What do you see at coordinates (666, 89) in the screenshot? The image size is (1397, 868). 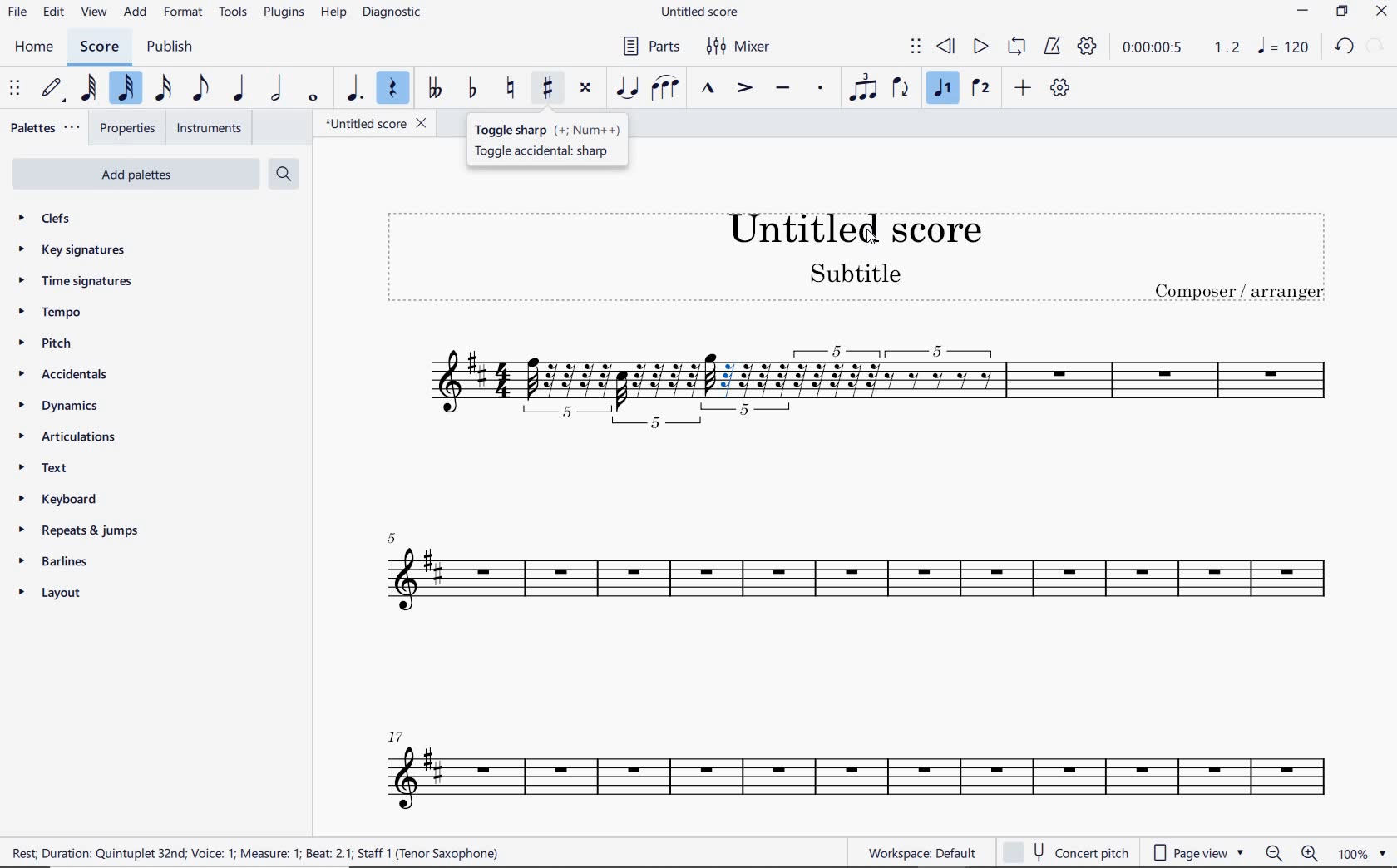 I see `SLUR` at bounding box center [666, 89].